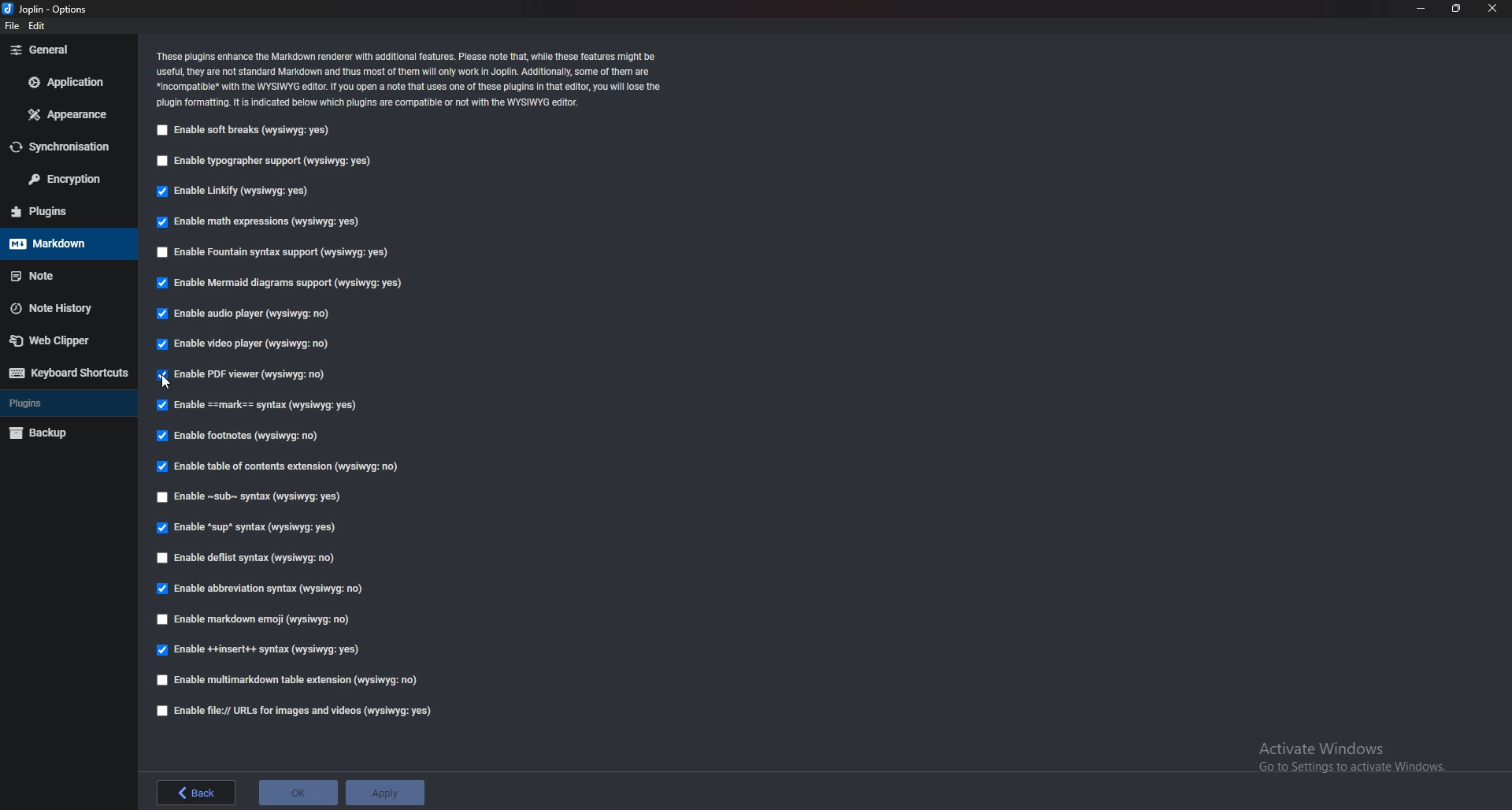 This screenshot has width=1512, height=810. I want to click on apply, so click(387, 793).